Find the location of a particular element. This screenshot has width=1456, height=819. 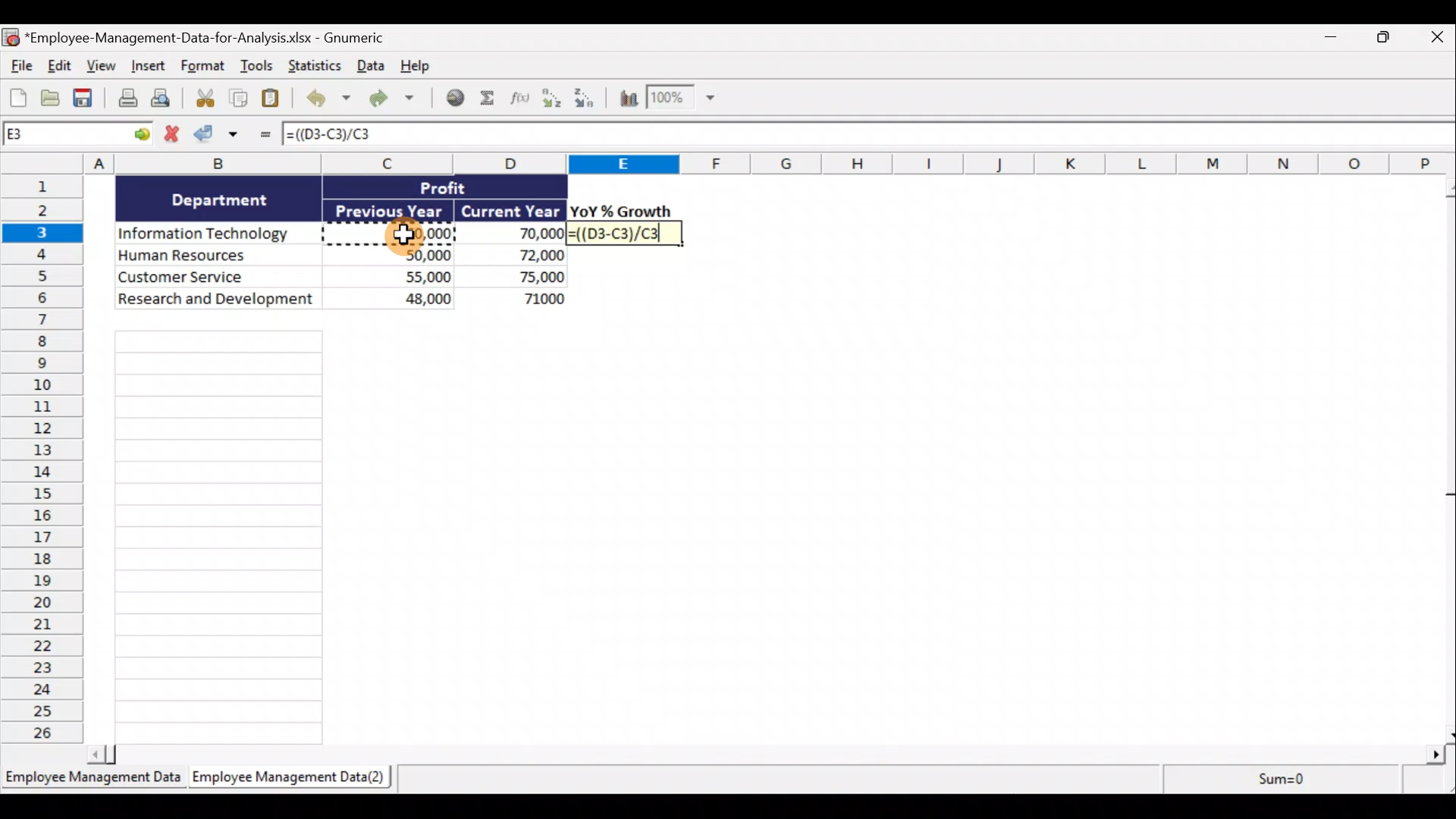

Print the current file is located at coordinates (126, 100).